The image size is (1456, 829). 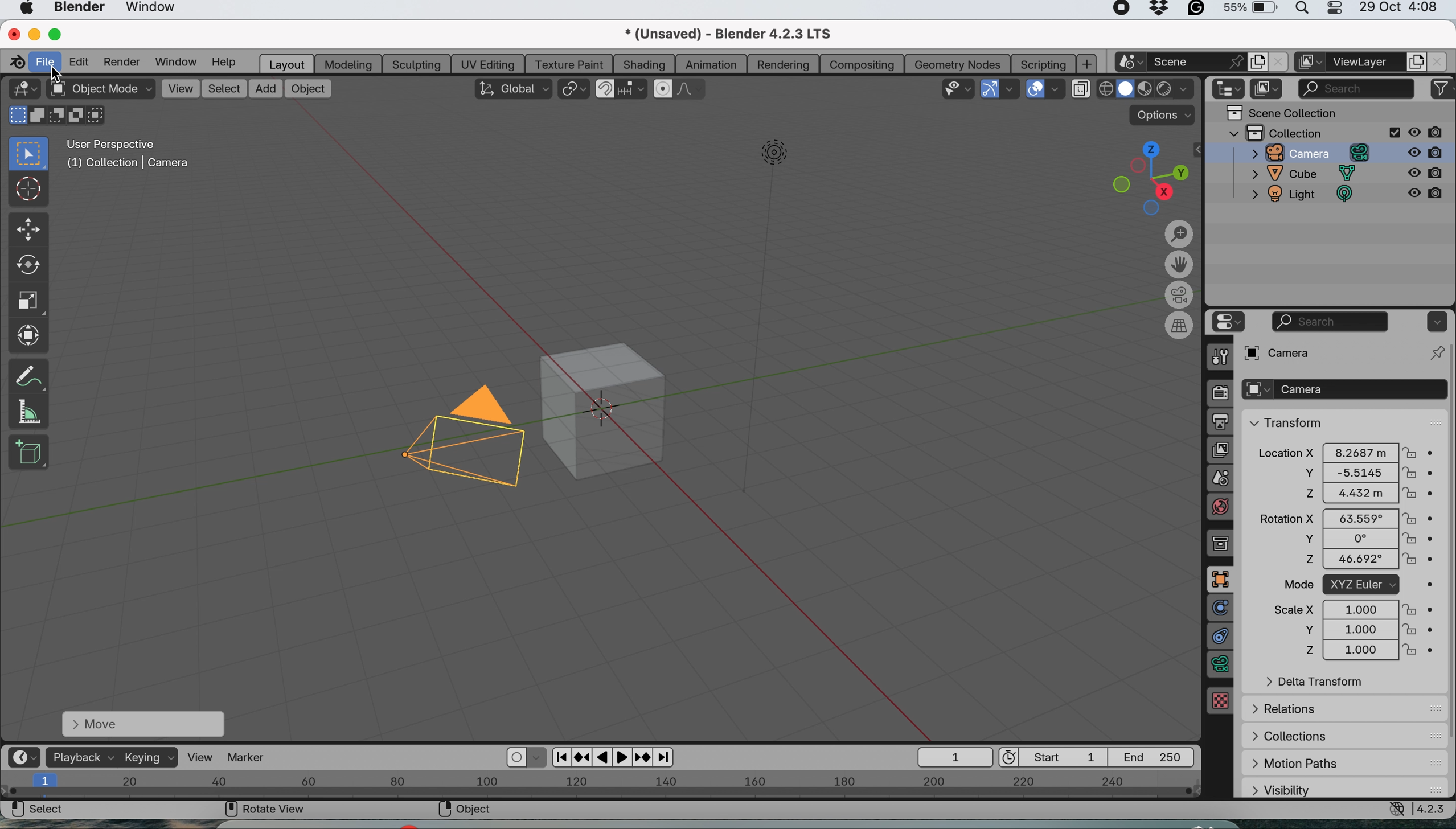 I want to click on y 1.000, so click(x=1354, y=630).